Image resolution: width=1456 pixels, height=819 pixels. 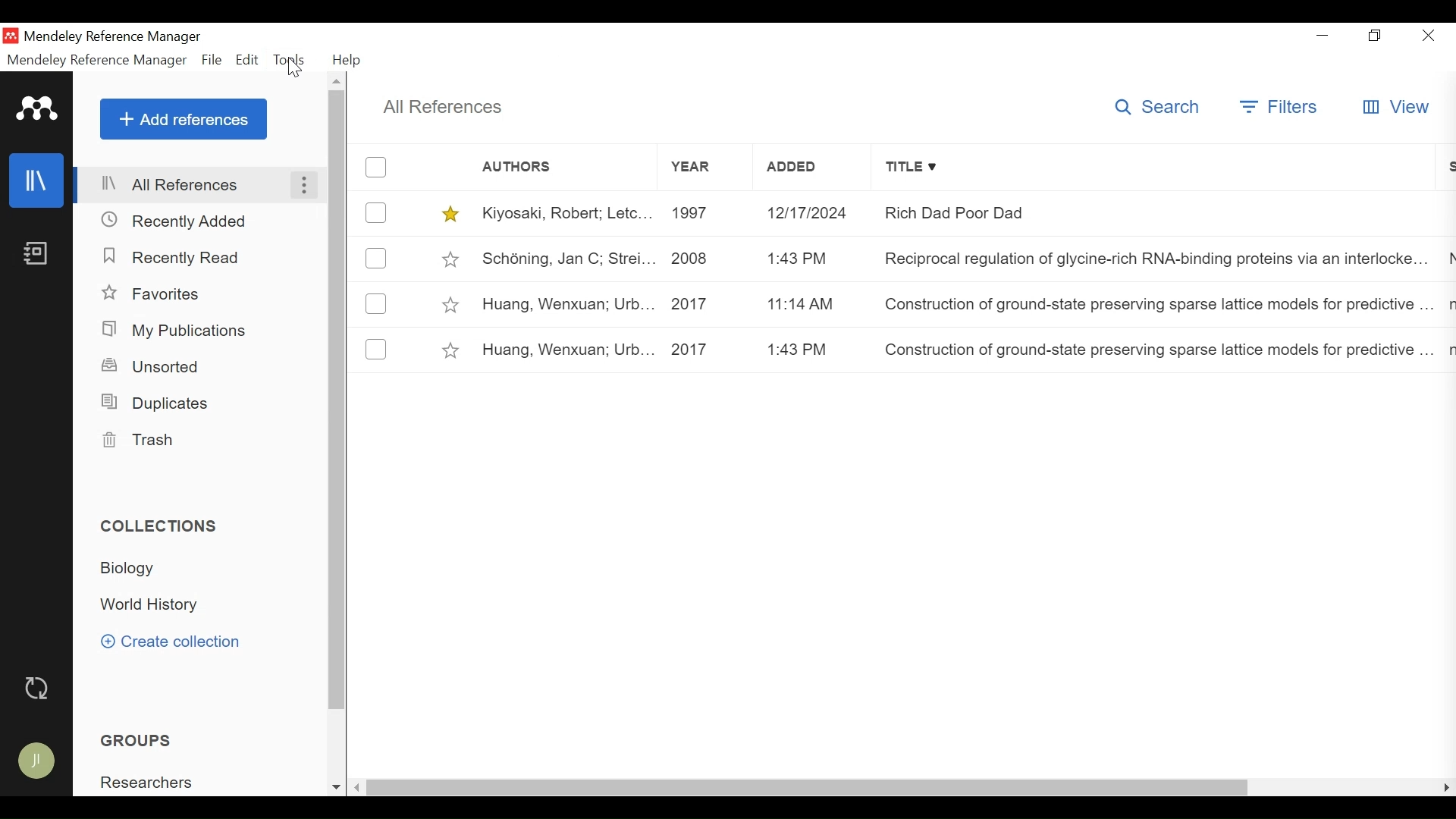 What do you see at coordinates (1150, 167) in the screenshot?
I see `Title` at bounding box center [1150, 167].